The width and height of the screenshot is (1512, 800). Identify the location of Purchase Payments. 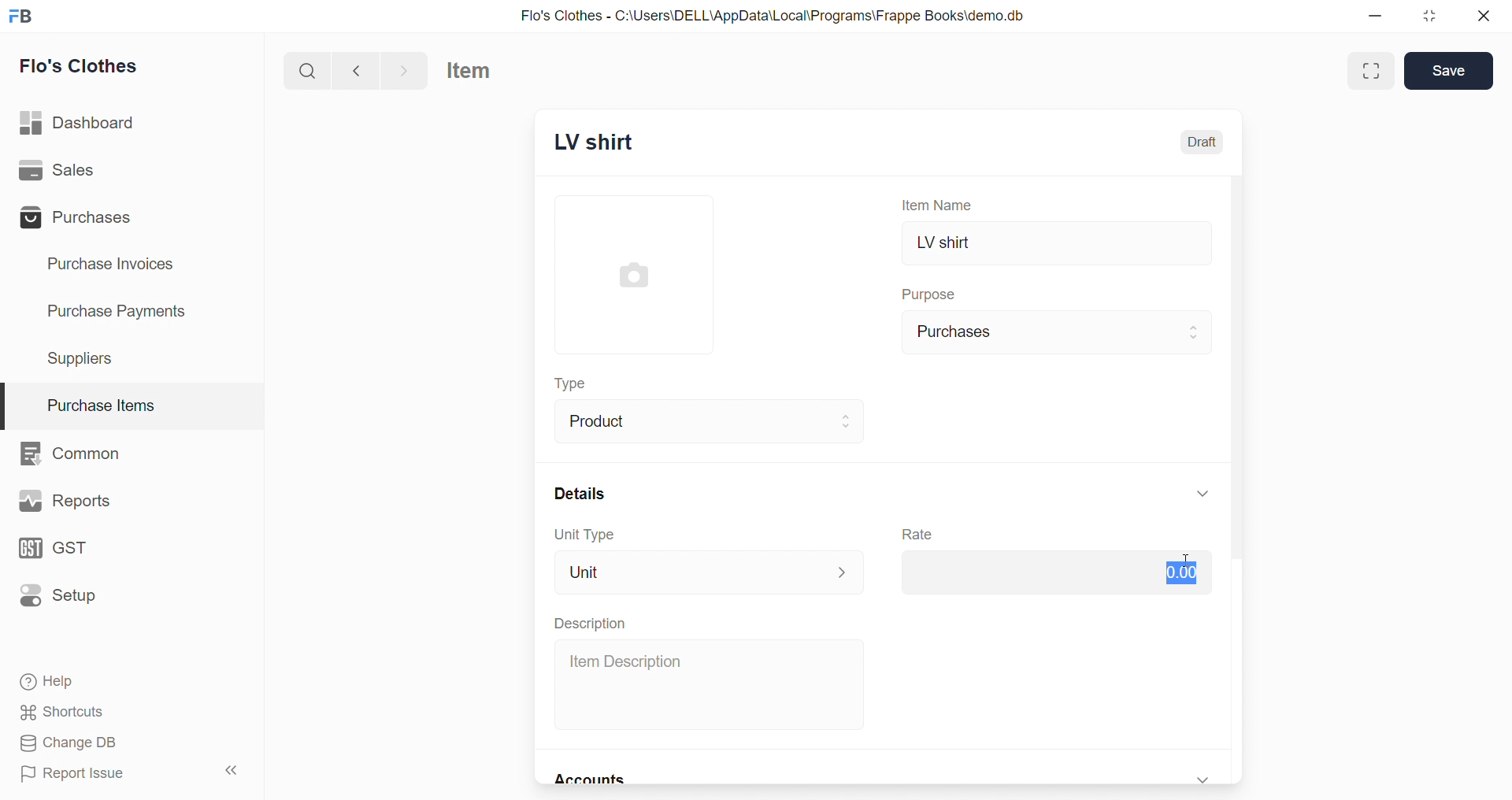
(122, 312).